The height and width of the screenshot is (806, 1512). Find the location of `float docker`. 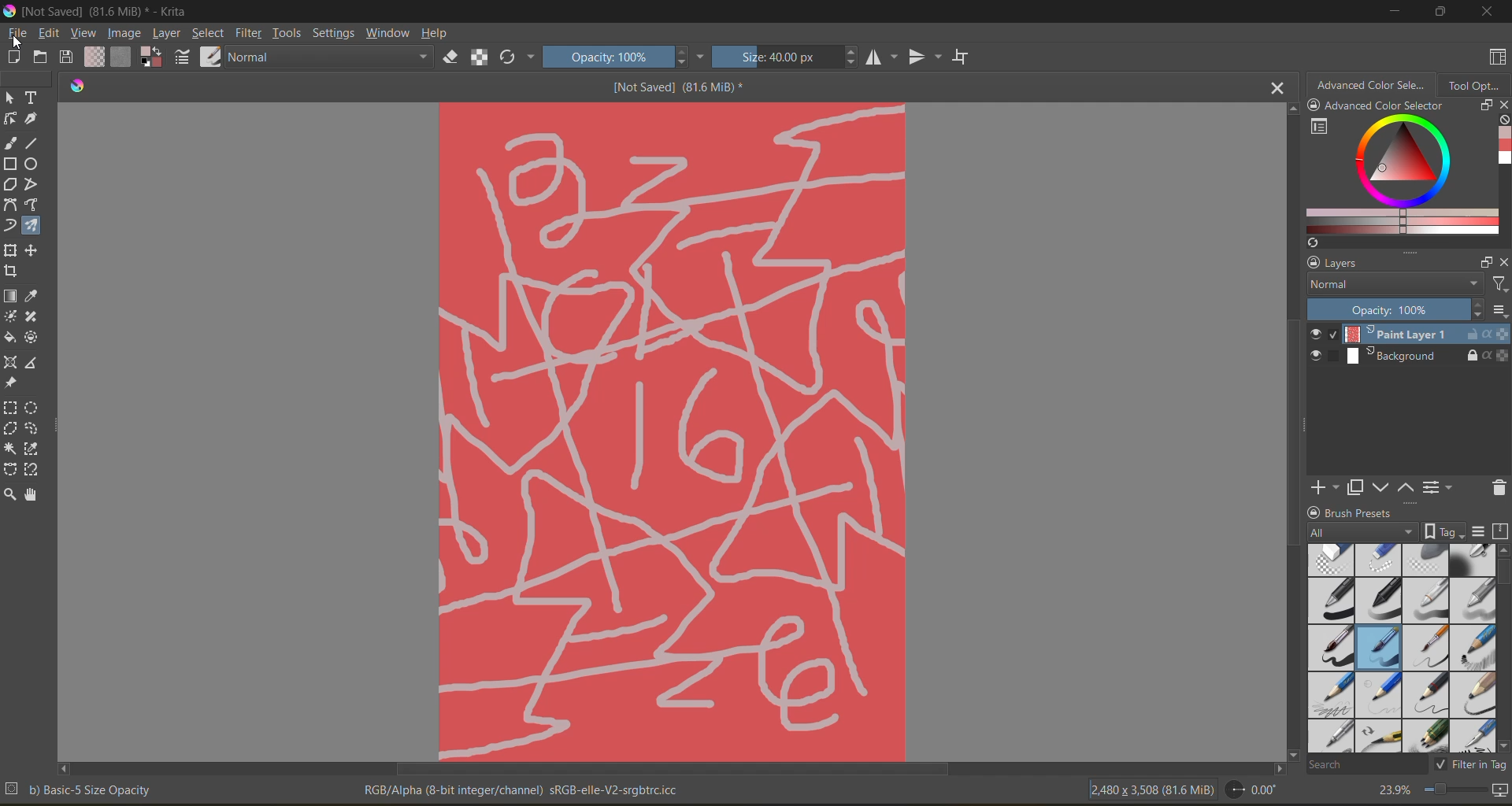

float docker is located at coordinates (1484, 105).